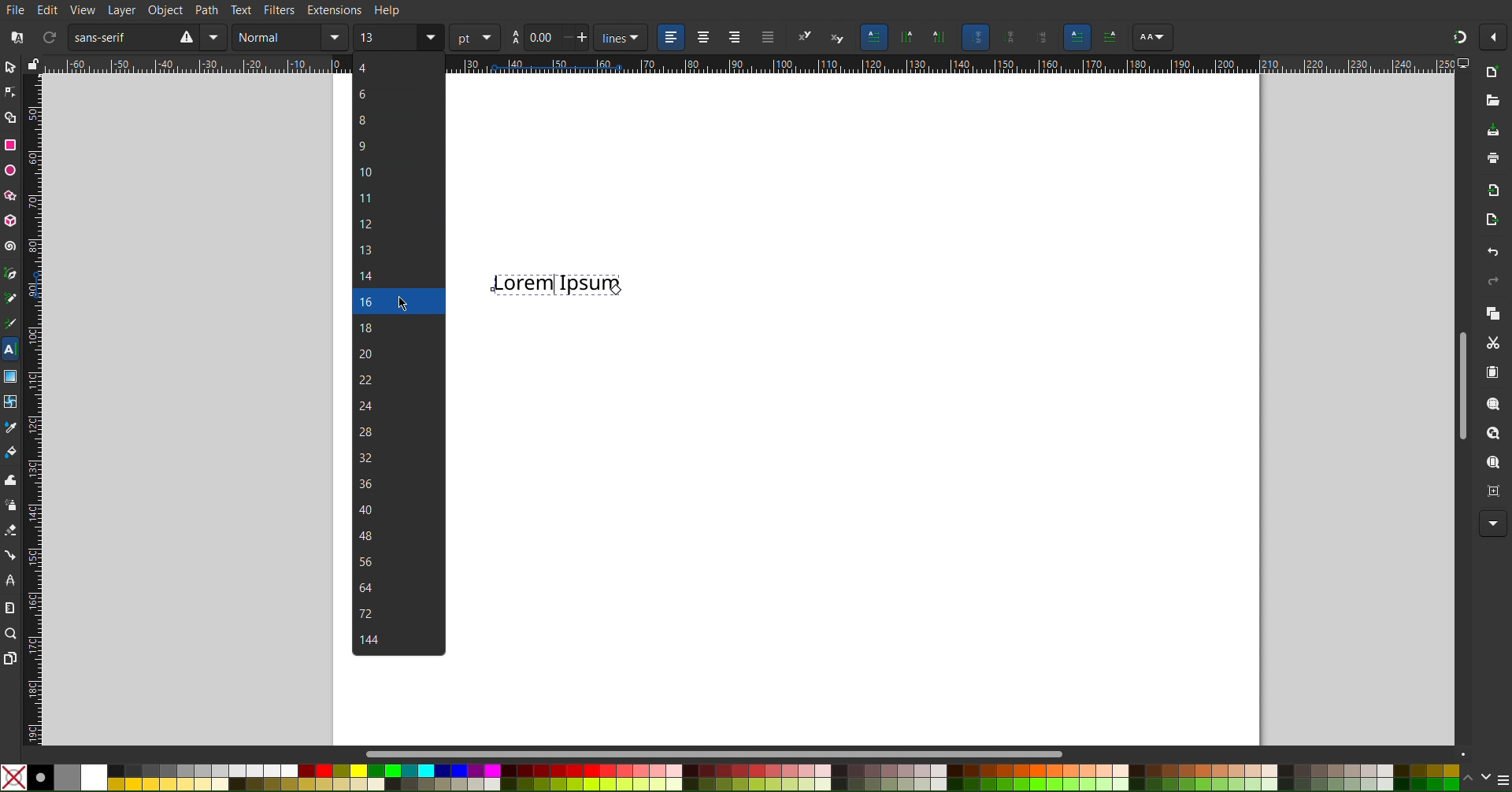  Describe the element at coordinates (117, 36) in the screenshot. I see `sans` at that location.